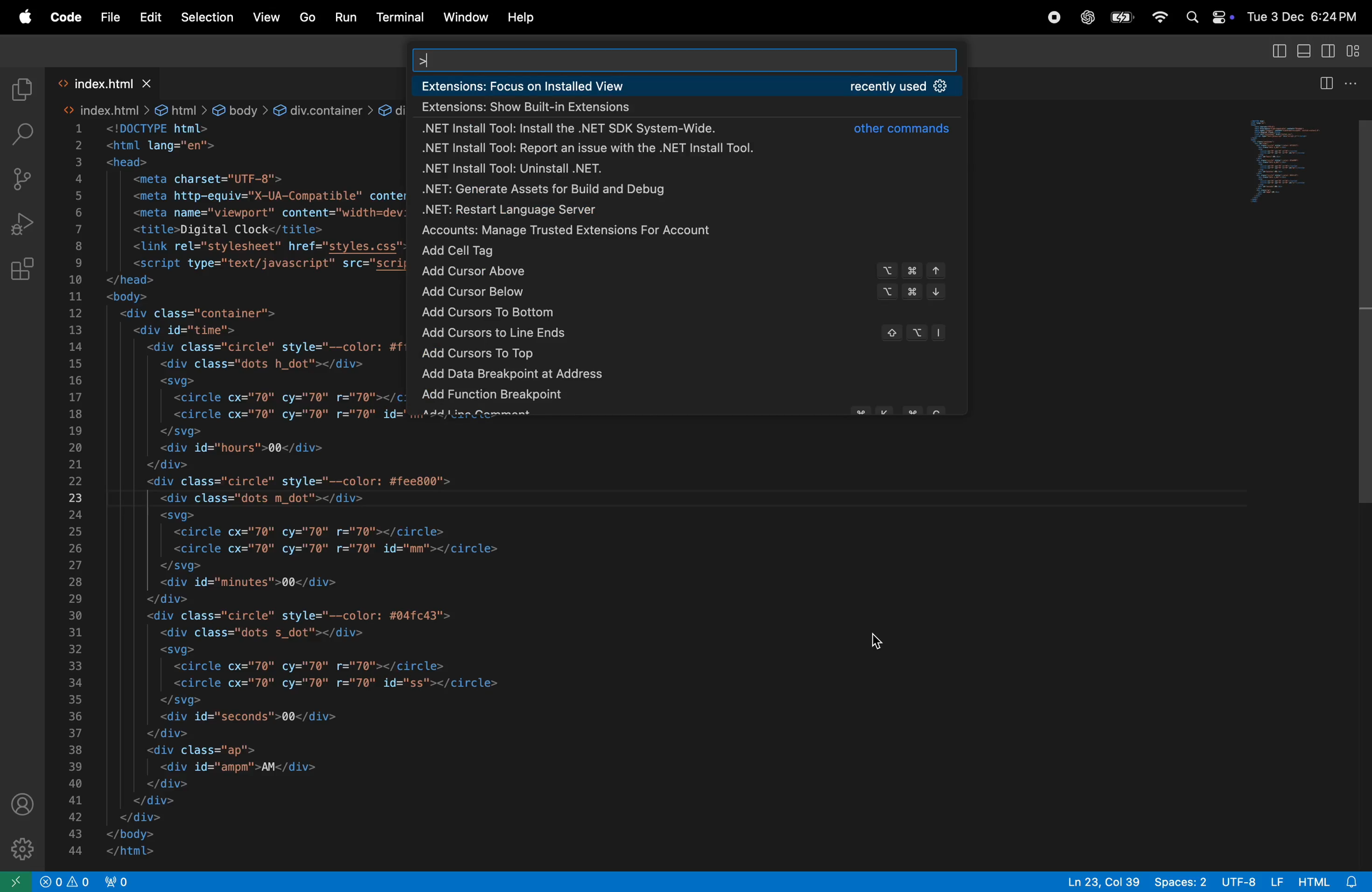 The image size is (1372, 892). I want to click on explorer, so click(22, 84).